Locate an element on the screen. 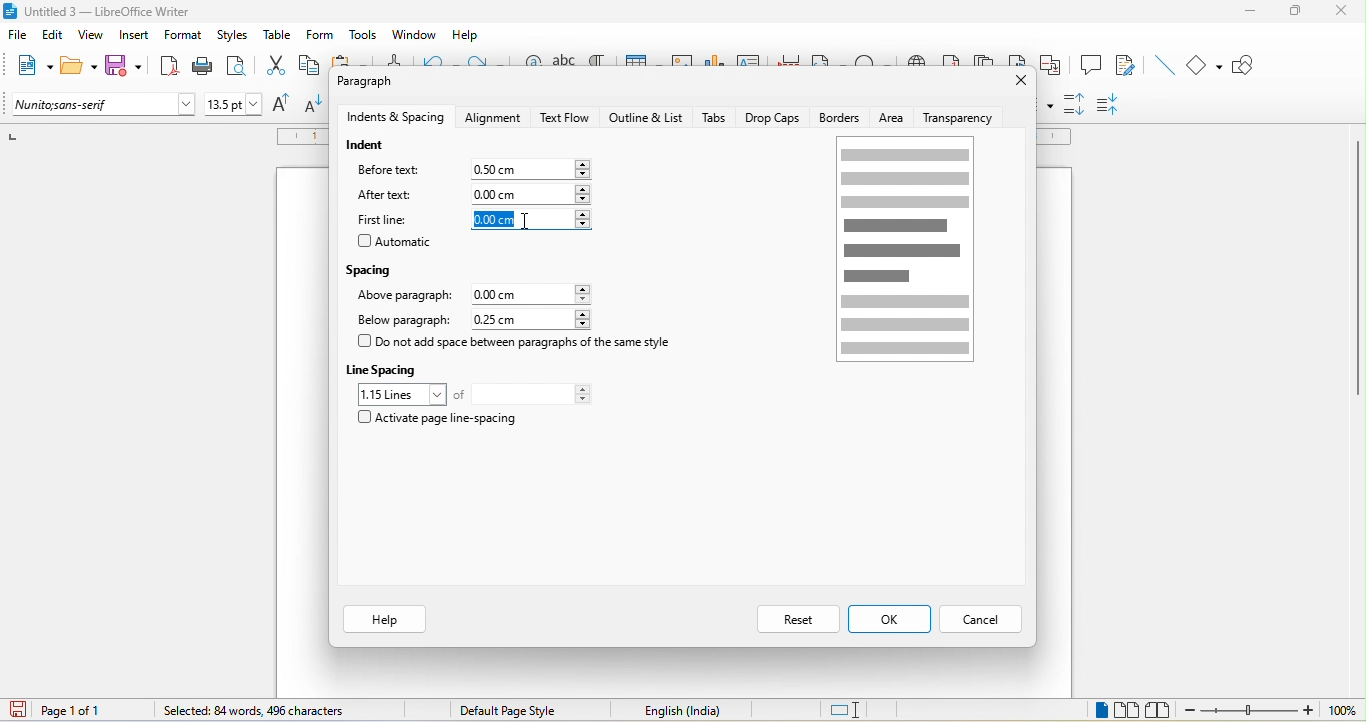 Image resolution: width=1366 pixels, height=722 pixels. show draw function is located at coordinates (1250, 65).